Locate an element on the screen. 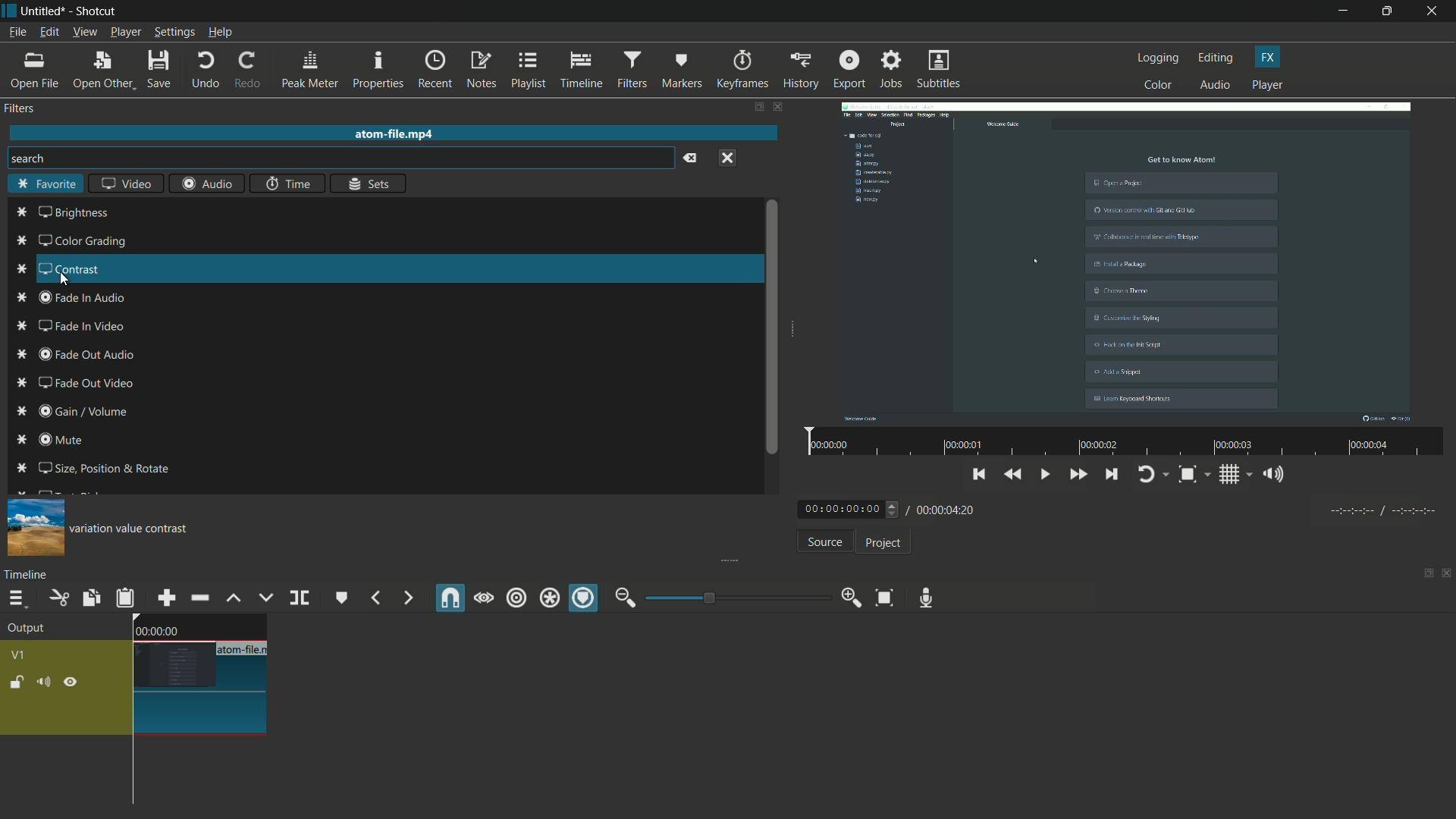 This screenshot has width=1456, height=819. properties is located at coordinates (378, 71).